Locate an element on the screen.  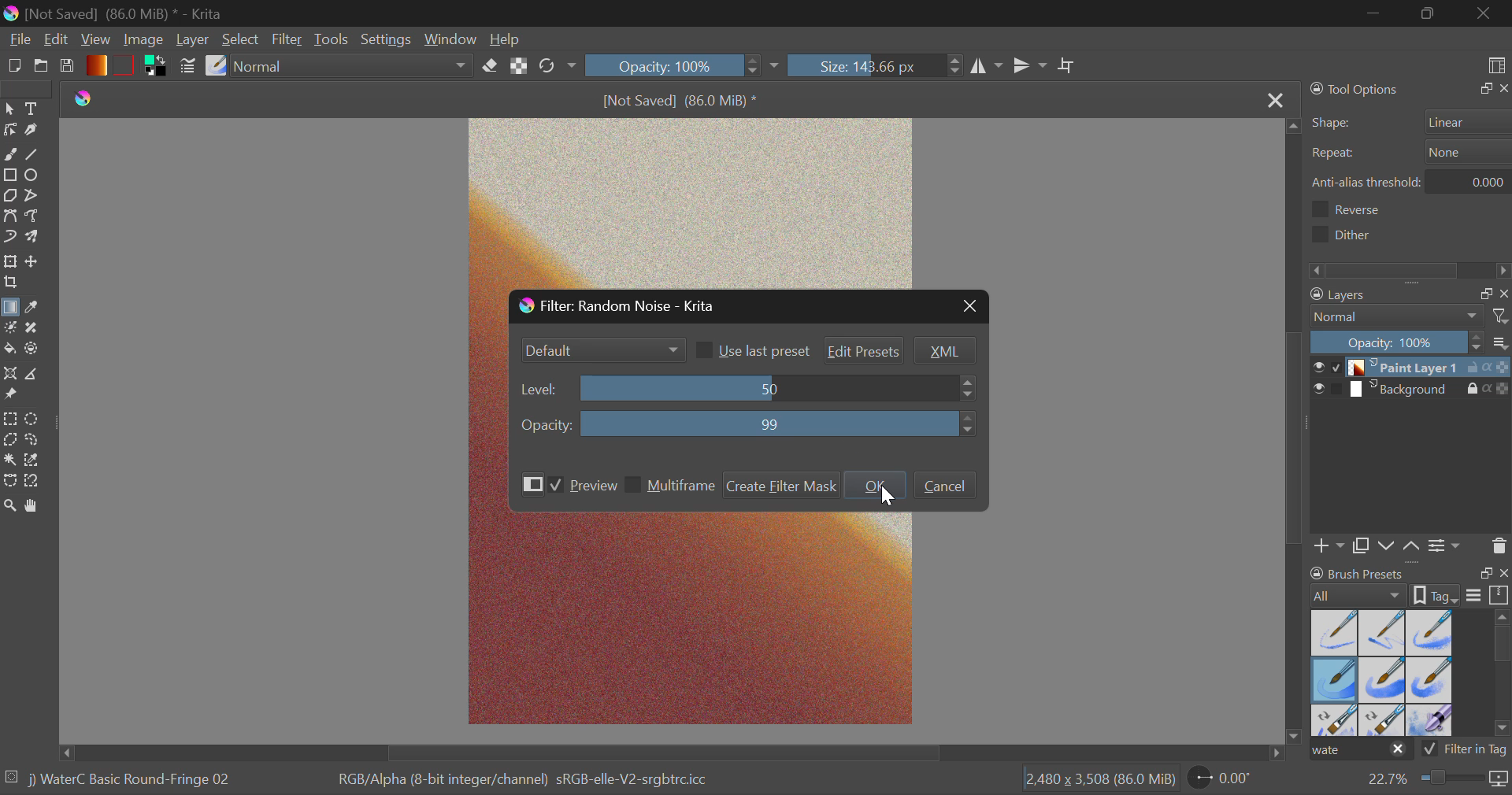
Anti-alias threshhold: is located at coordinates (1367, 182).